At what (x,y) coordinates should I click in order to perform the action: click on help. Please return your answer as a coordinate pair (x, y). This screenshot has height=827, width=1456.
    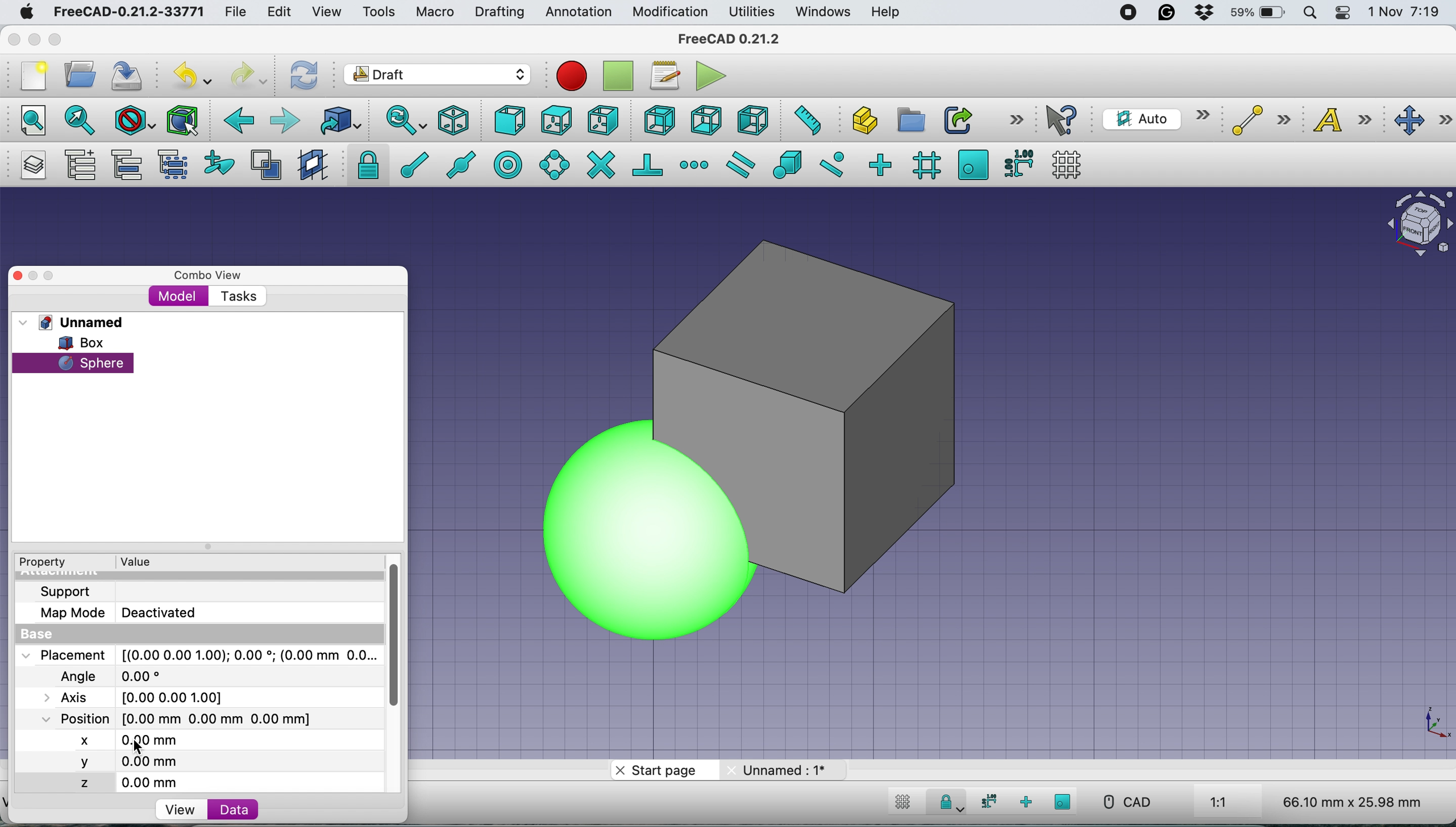
    Looking at the image, I should click on (887, 13).